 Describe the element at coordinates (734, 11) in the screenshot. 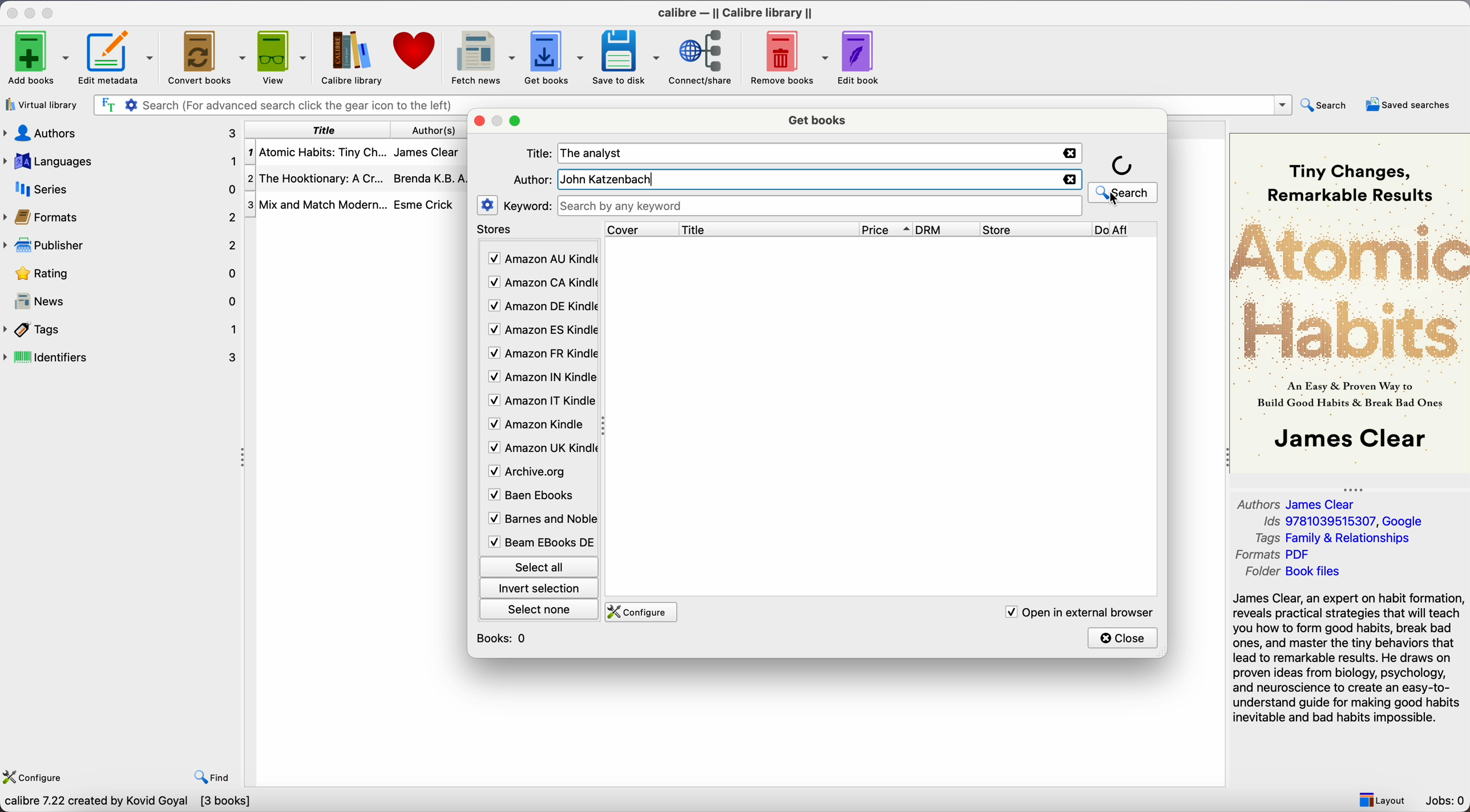

I see `Calibre - || Calibre library ||` at that location.